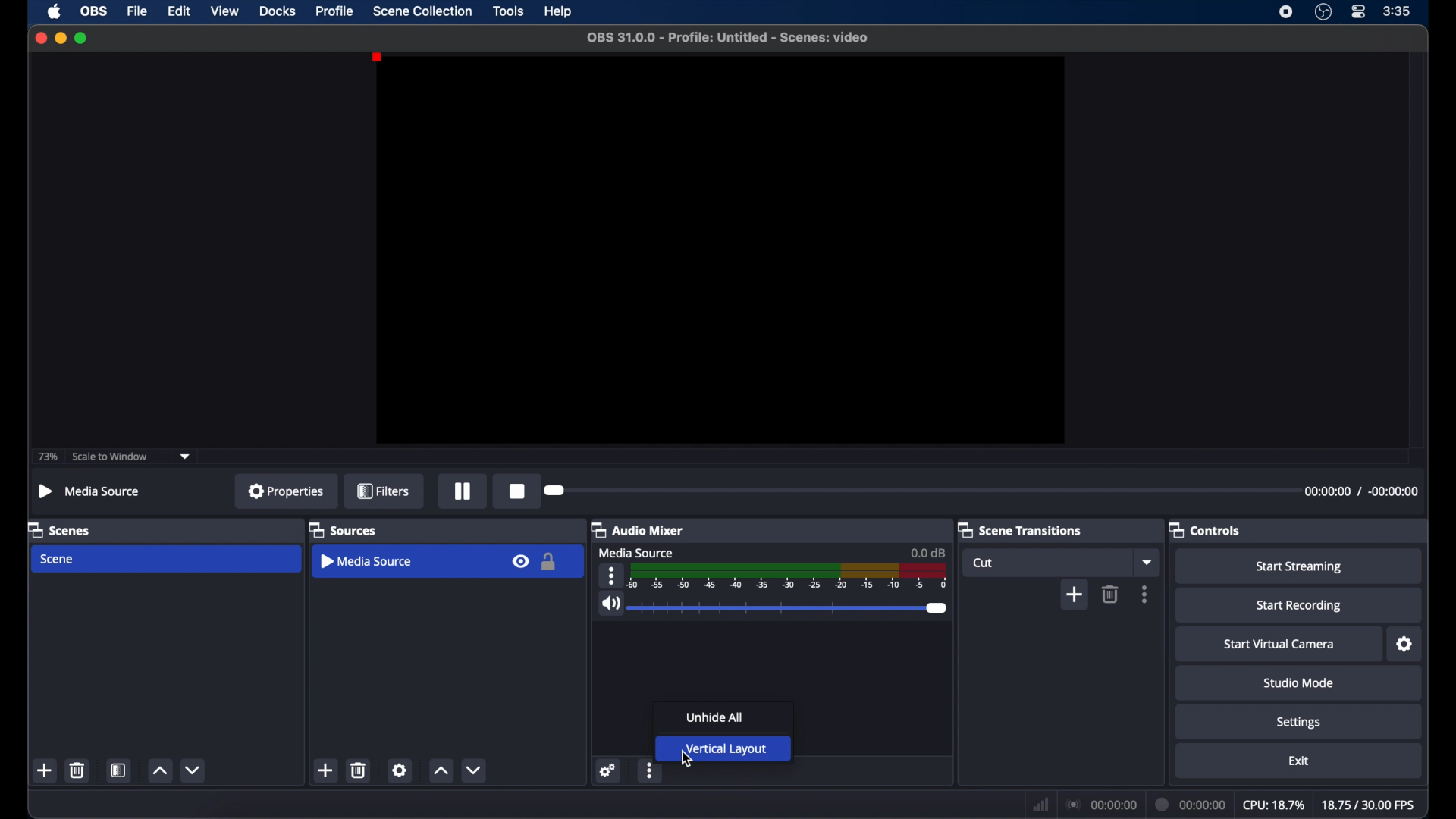 This screenshot has width=1456, height=819. What do you see at coordinates (1370, 805) in the screenshot?
I see `fps` at bounding box center [1370, 805].